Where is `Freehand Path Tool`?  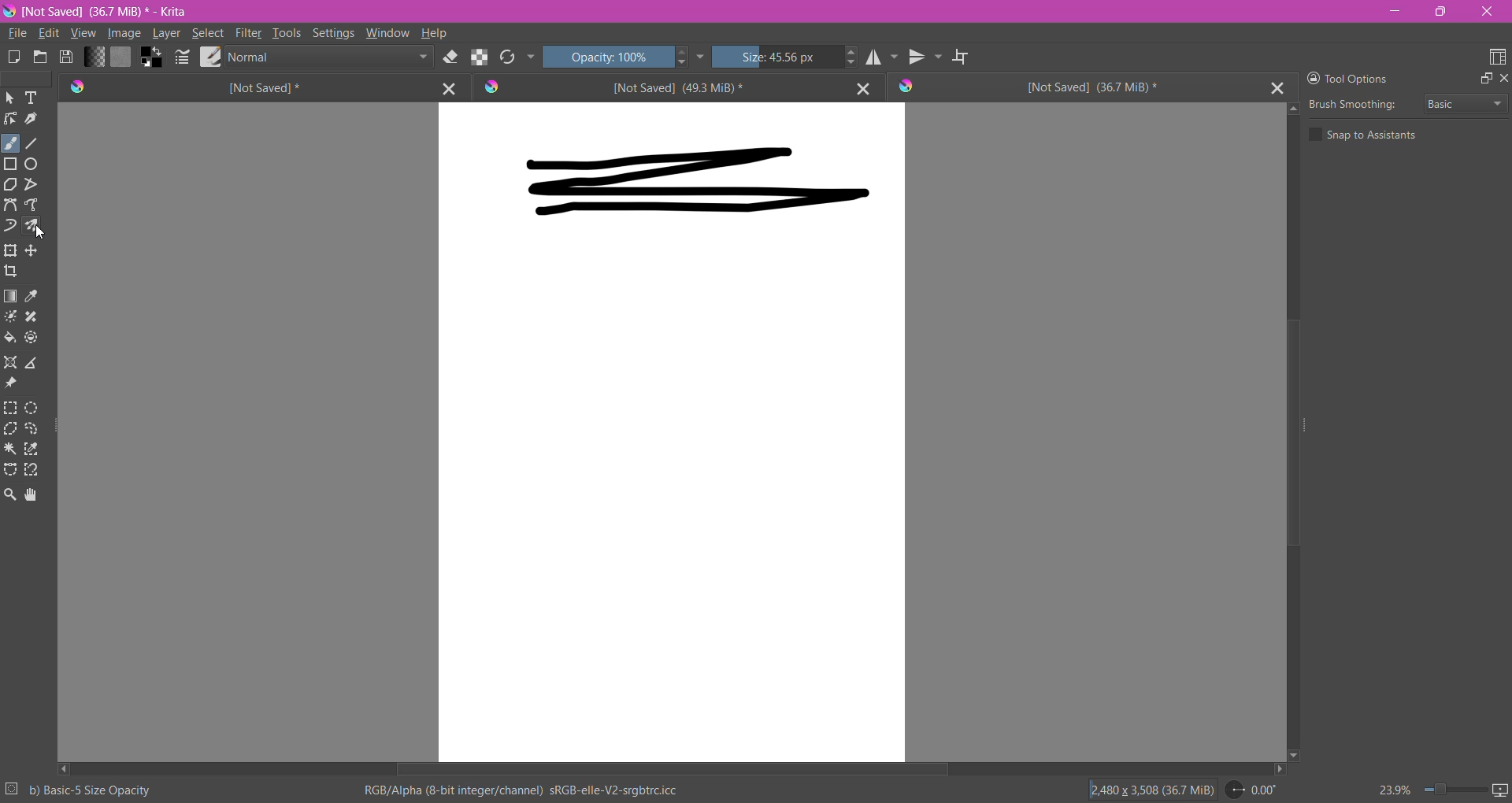
Freehand Path Tool is located at coordinates (33, 204).